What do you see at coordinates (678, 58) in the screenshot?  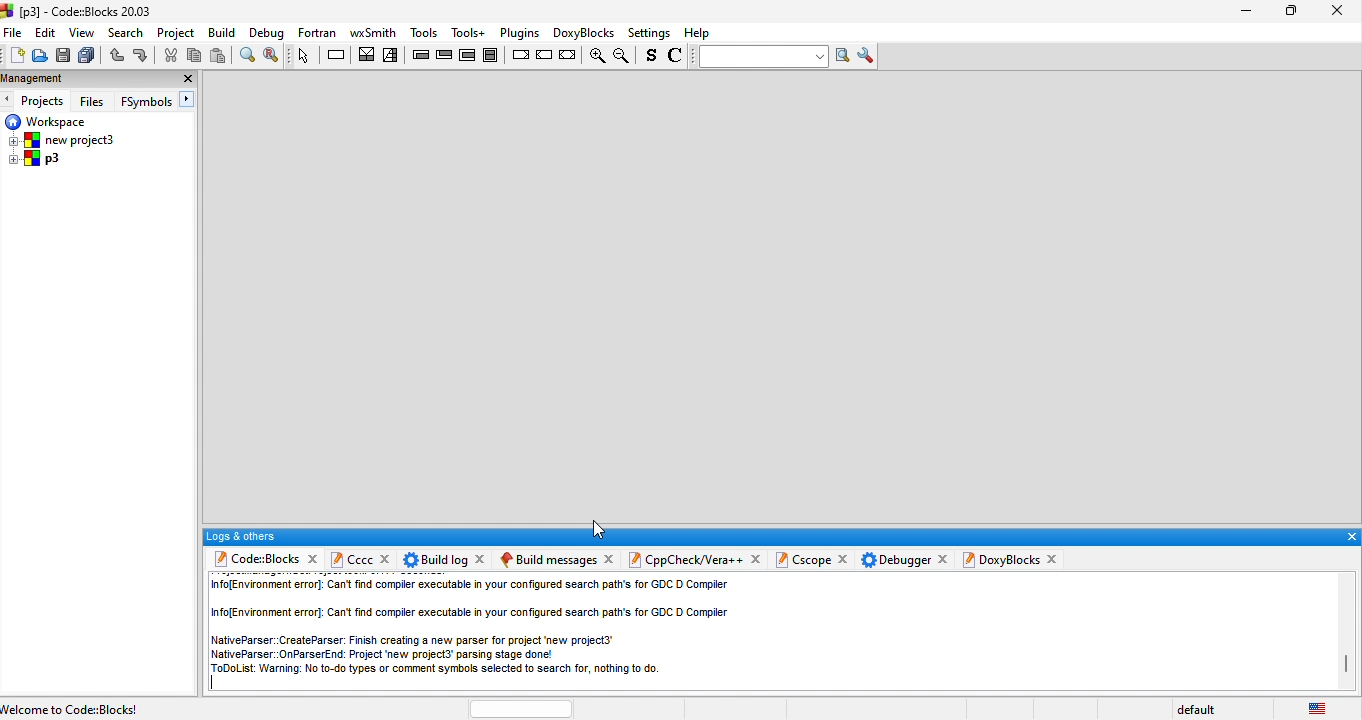 I see `toggle comments` at bounding box center [678, 58].